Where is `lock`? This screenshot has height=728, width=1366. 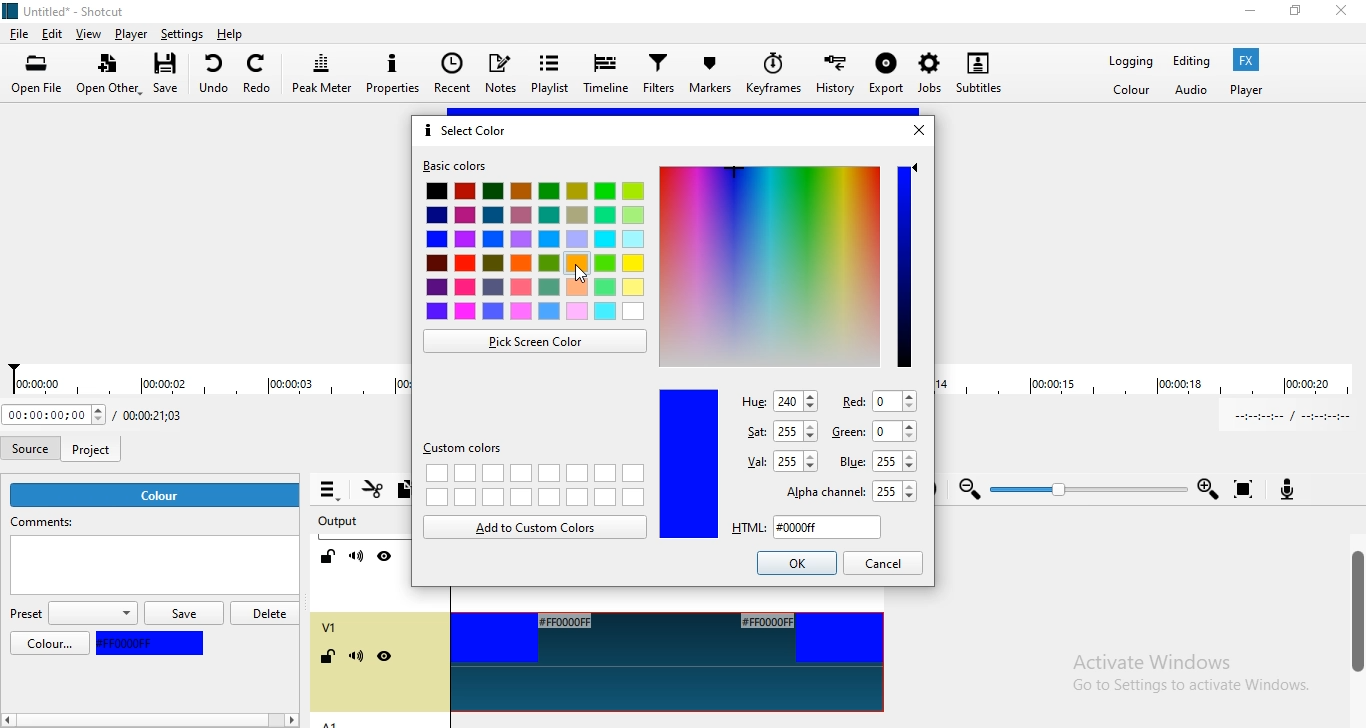 lock is located at coordinates (331, 658).